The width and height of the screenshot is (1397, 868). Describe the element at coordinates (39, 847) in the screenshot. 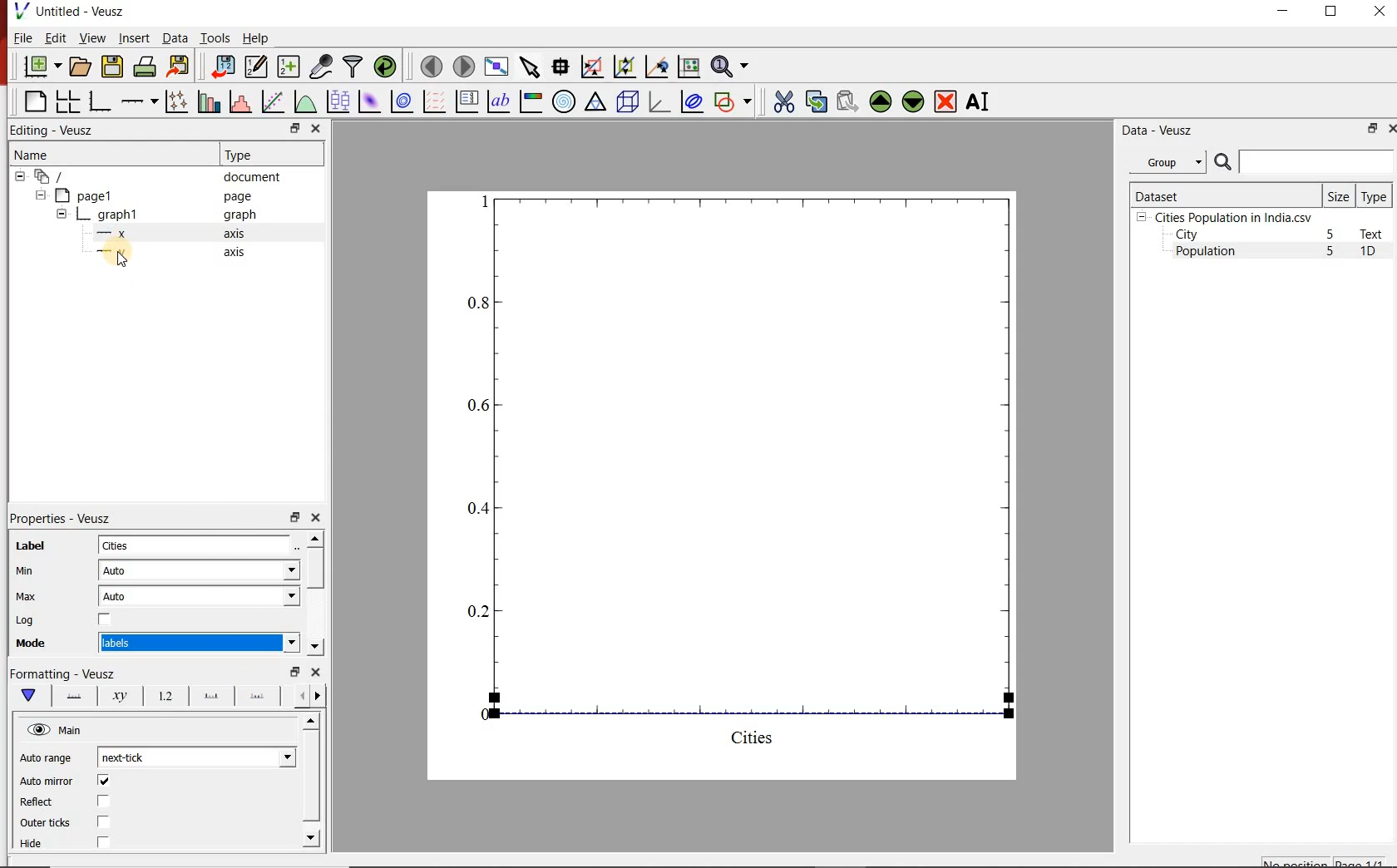

I see `Hide` at that location.